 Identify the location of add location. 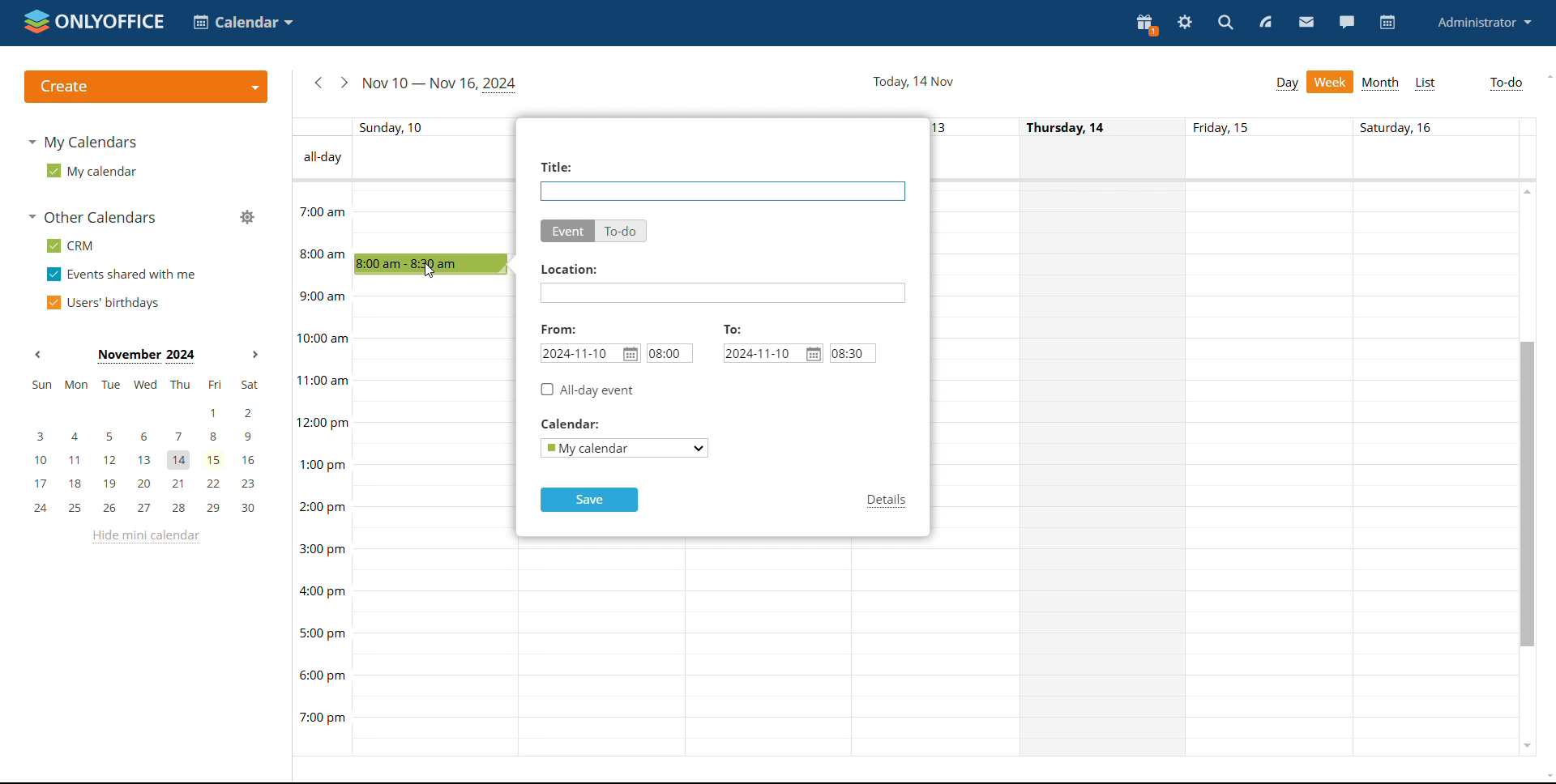
(724, 292).